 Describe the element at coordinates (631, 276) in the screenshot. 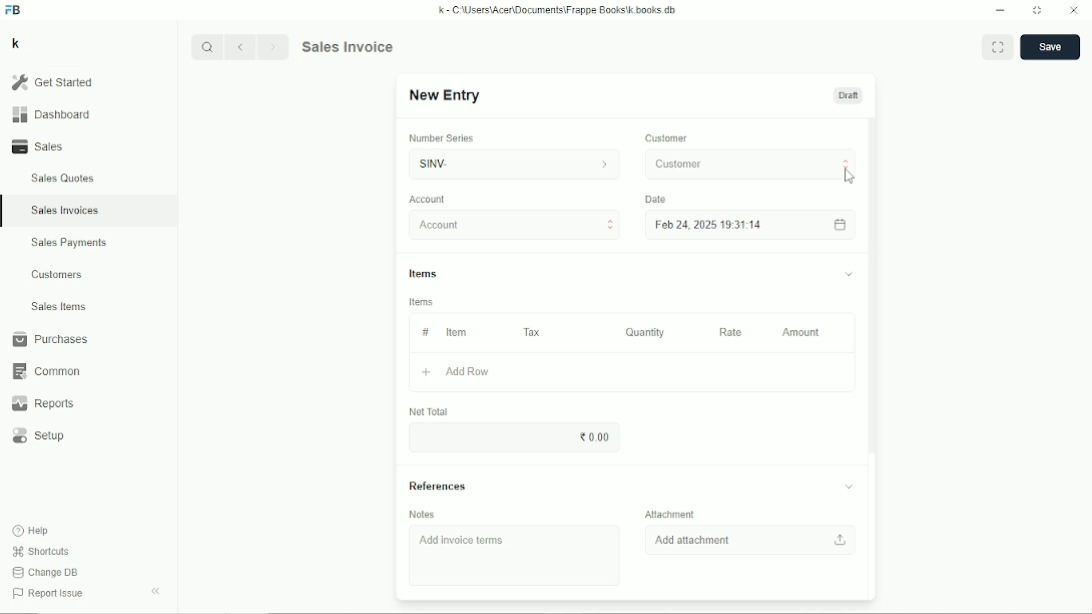

I see `Items` at that location.